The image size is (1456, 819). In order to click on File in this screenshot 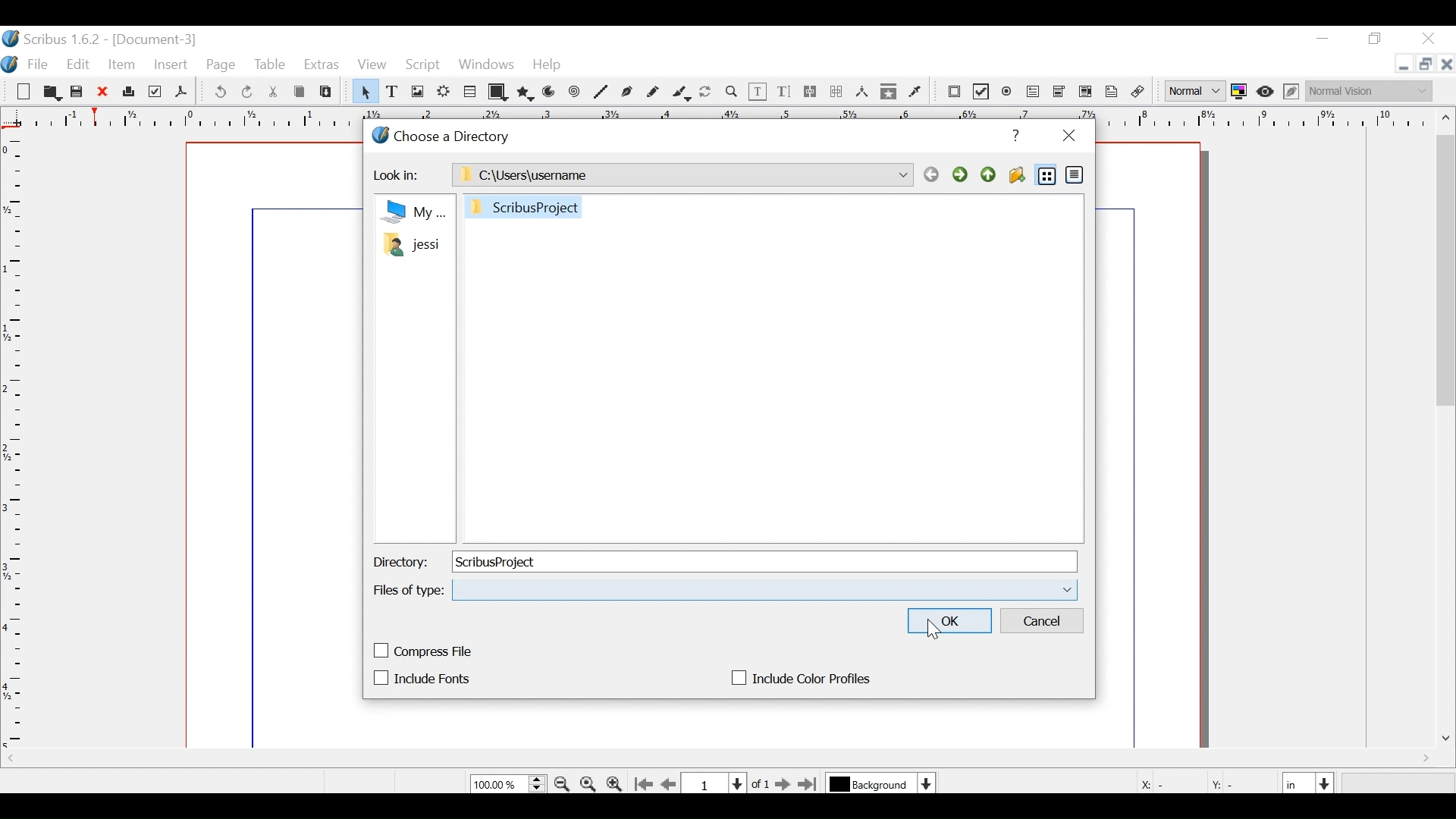, I will do `click(37, 66)`.